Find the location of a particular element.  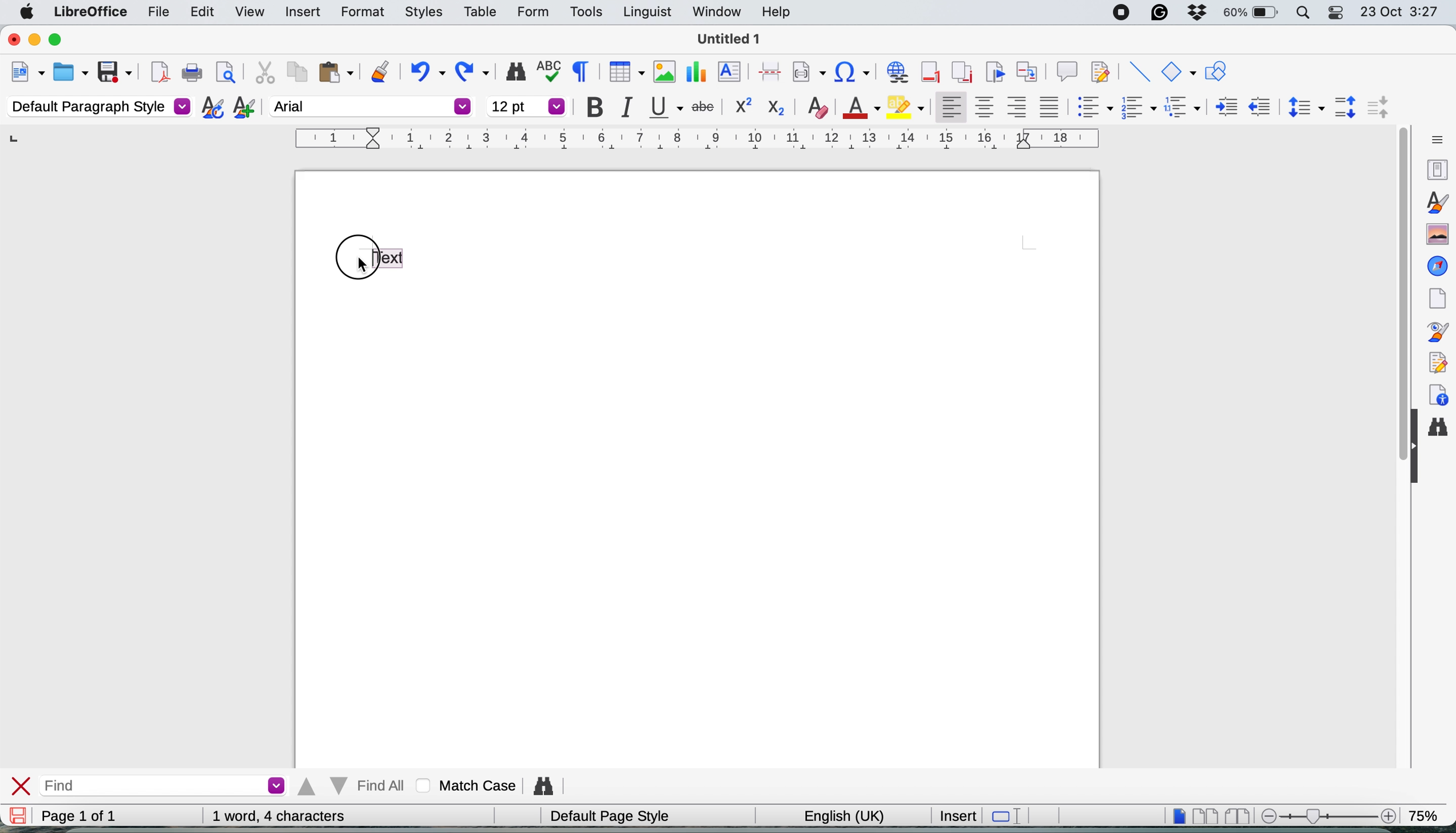

find is located at coordinates (162, 784).